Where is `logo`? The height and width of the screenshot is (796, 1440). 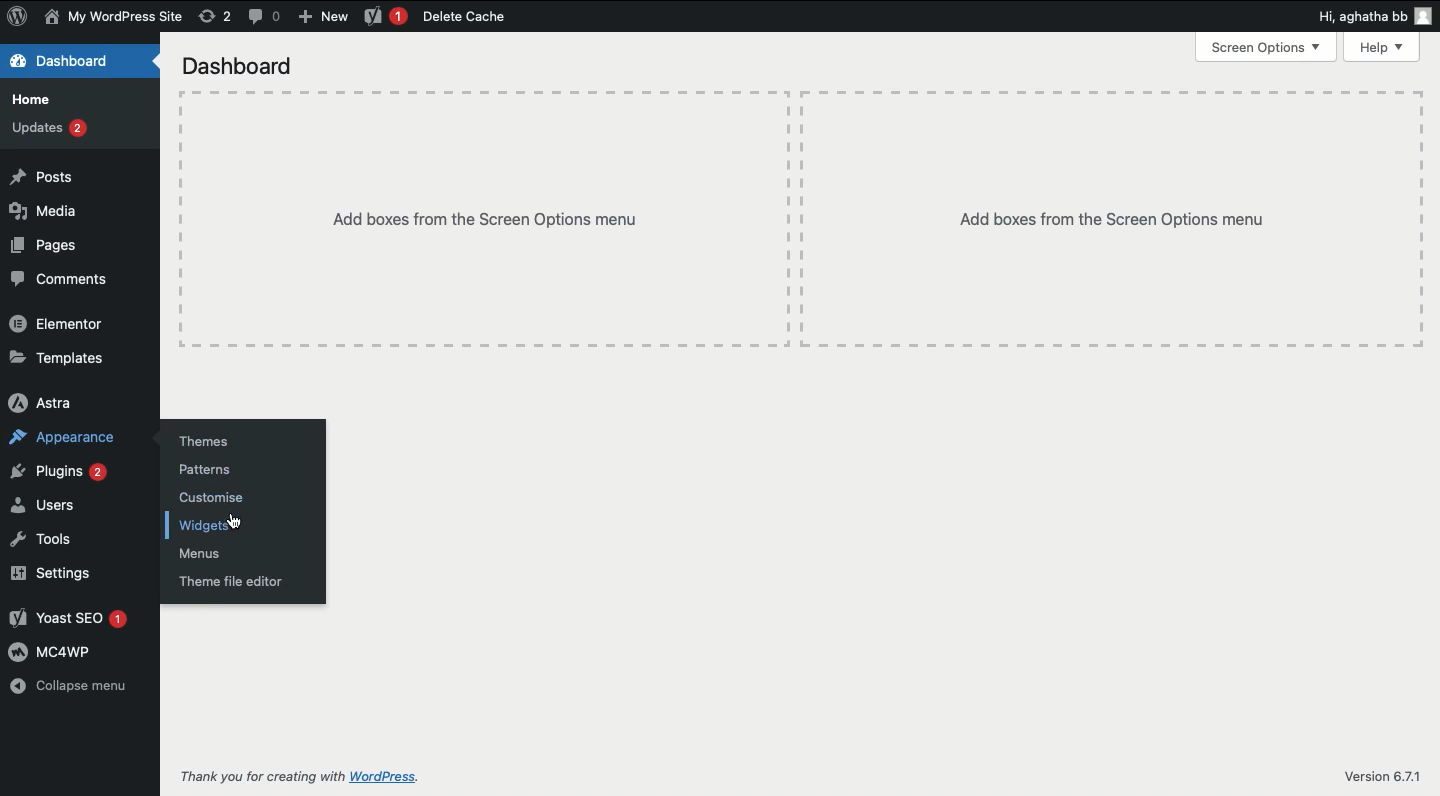
logo is located at coordinates (21, 21).